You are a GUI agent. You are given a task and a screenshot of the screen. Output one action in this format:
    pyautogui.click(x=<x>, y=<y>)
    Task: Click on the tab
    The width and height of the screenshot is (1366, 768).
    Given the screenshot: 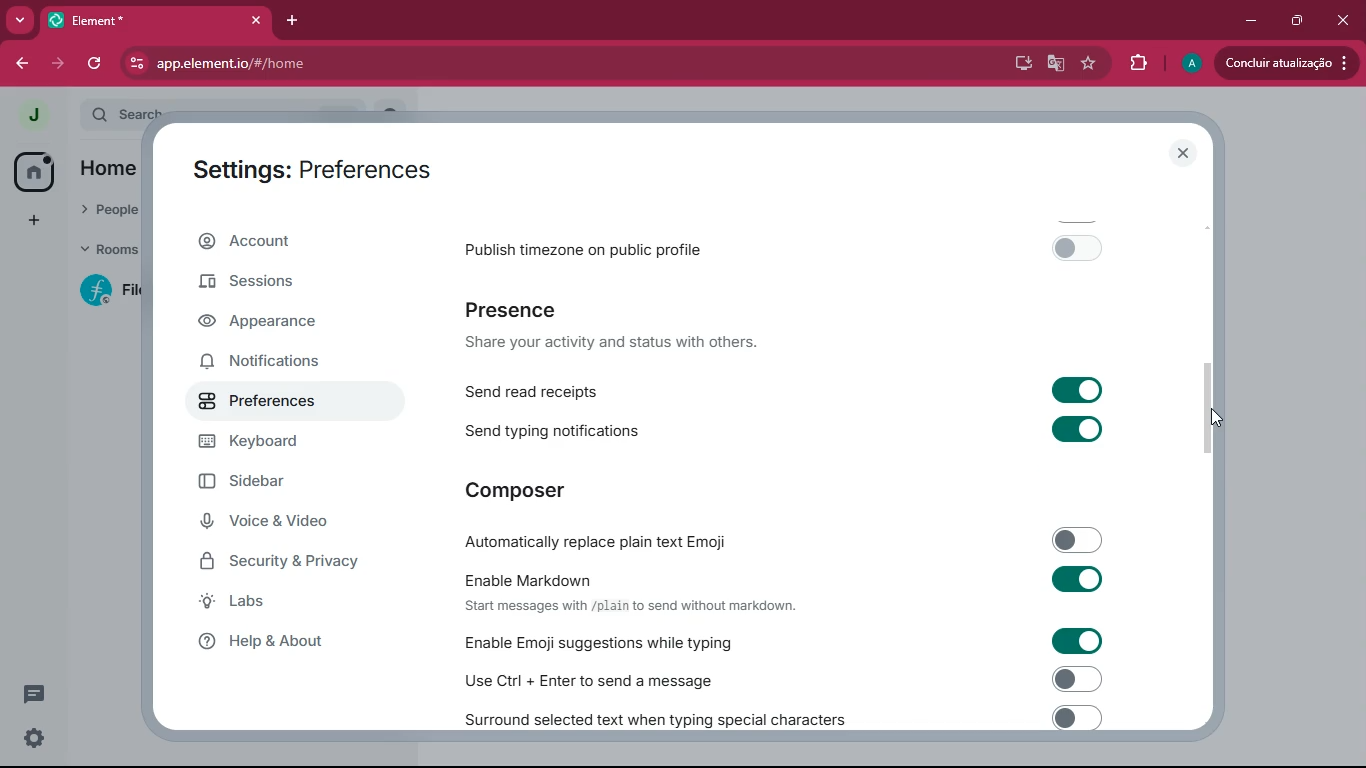 What is the action you would take?
    pyautogui.click(x=157, y=20)
    